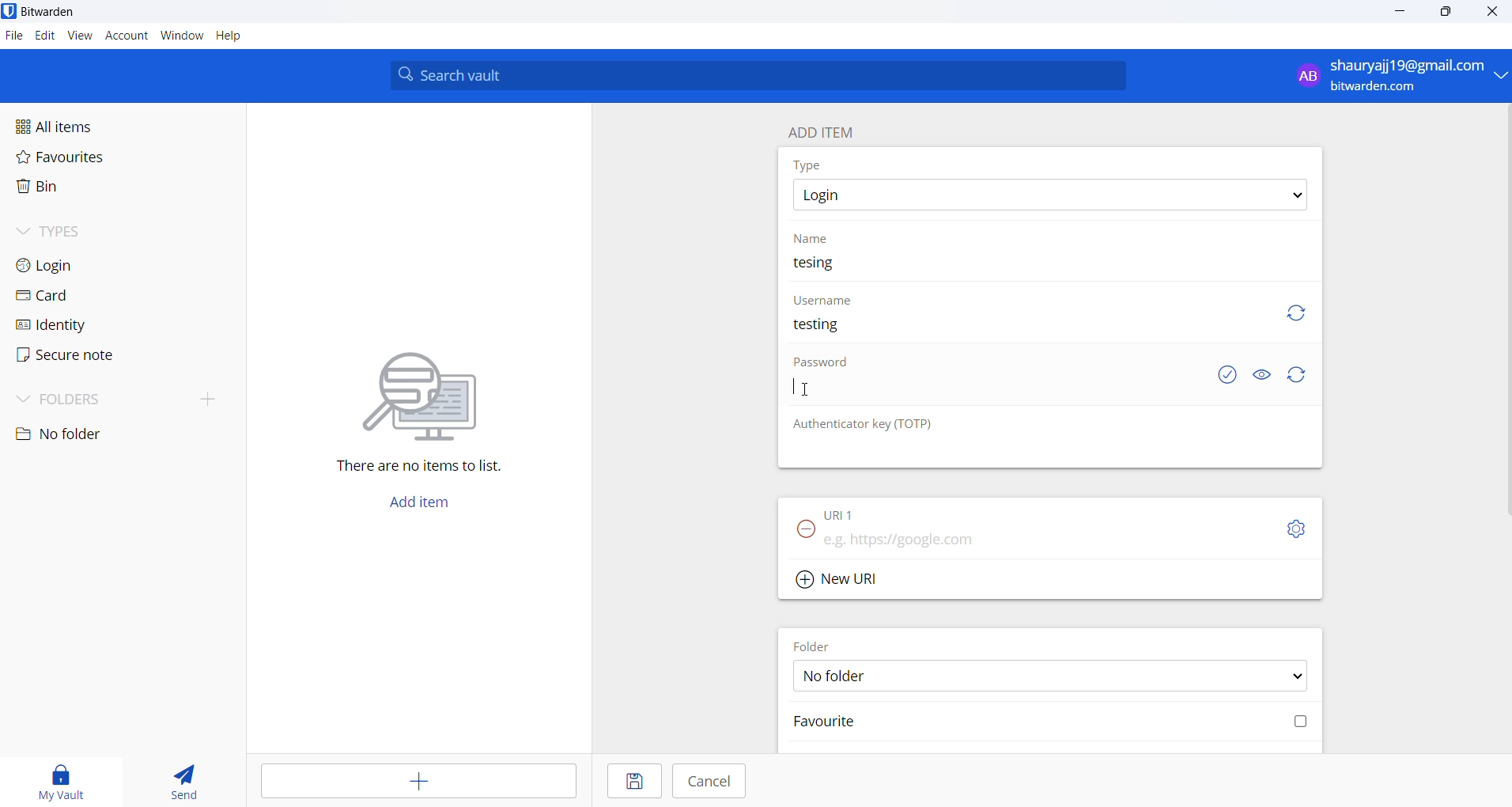  I want to click on identity, so click(60, 324).